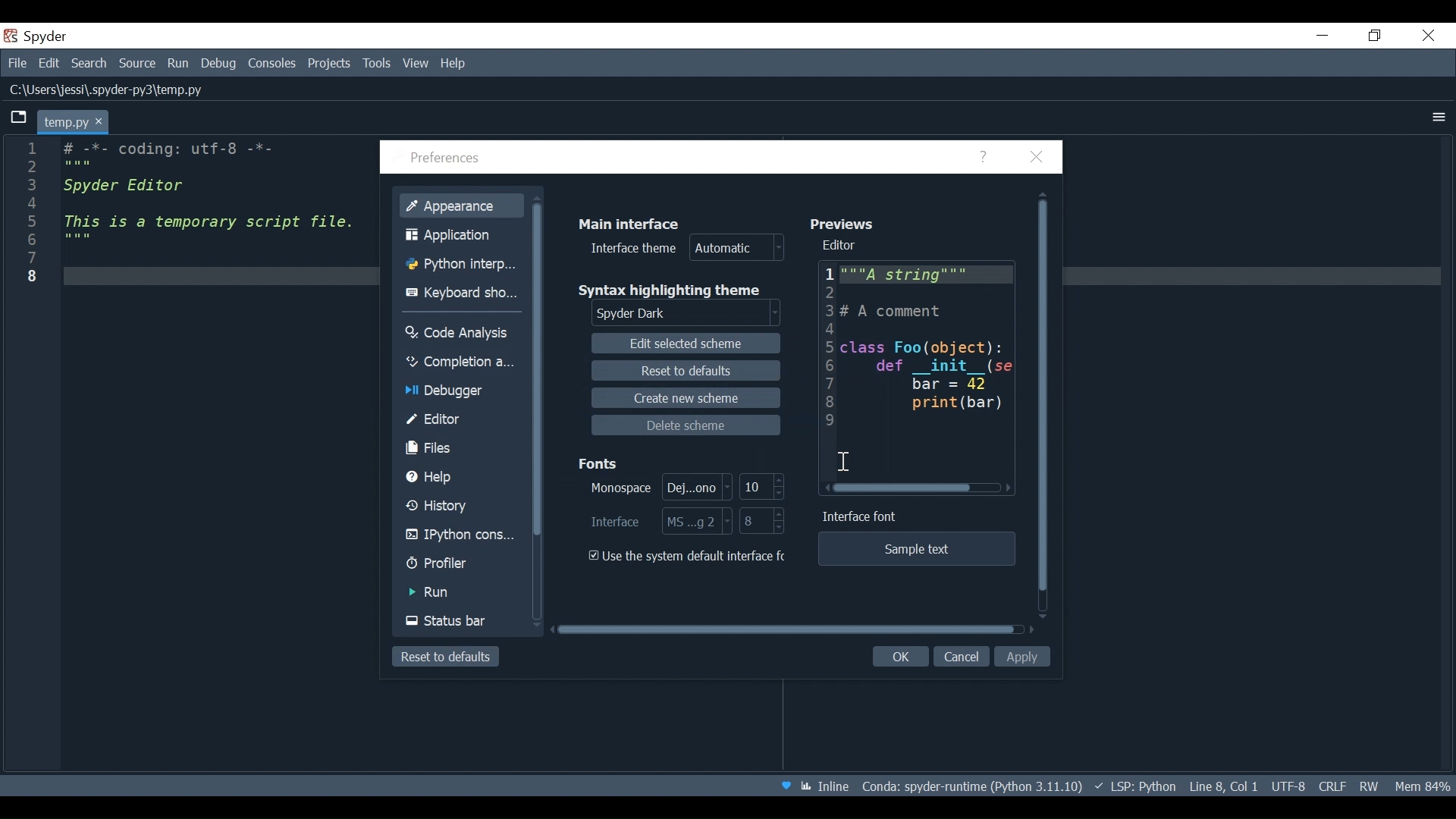  I want to click on Run, so click(180, 64).